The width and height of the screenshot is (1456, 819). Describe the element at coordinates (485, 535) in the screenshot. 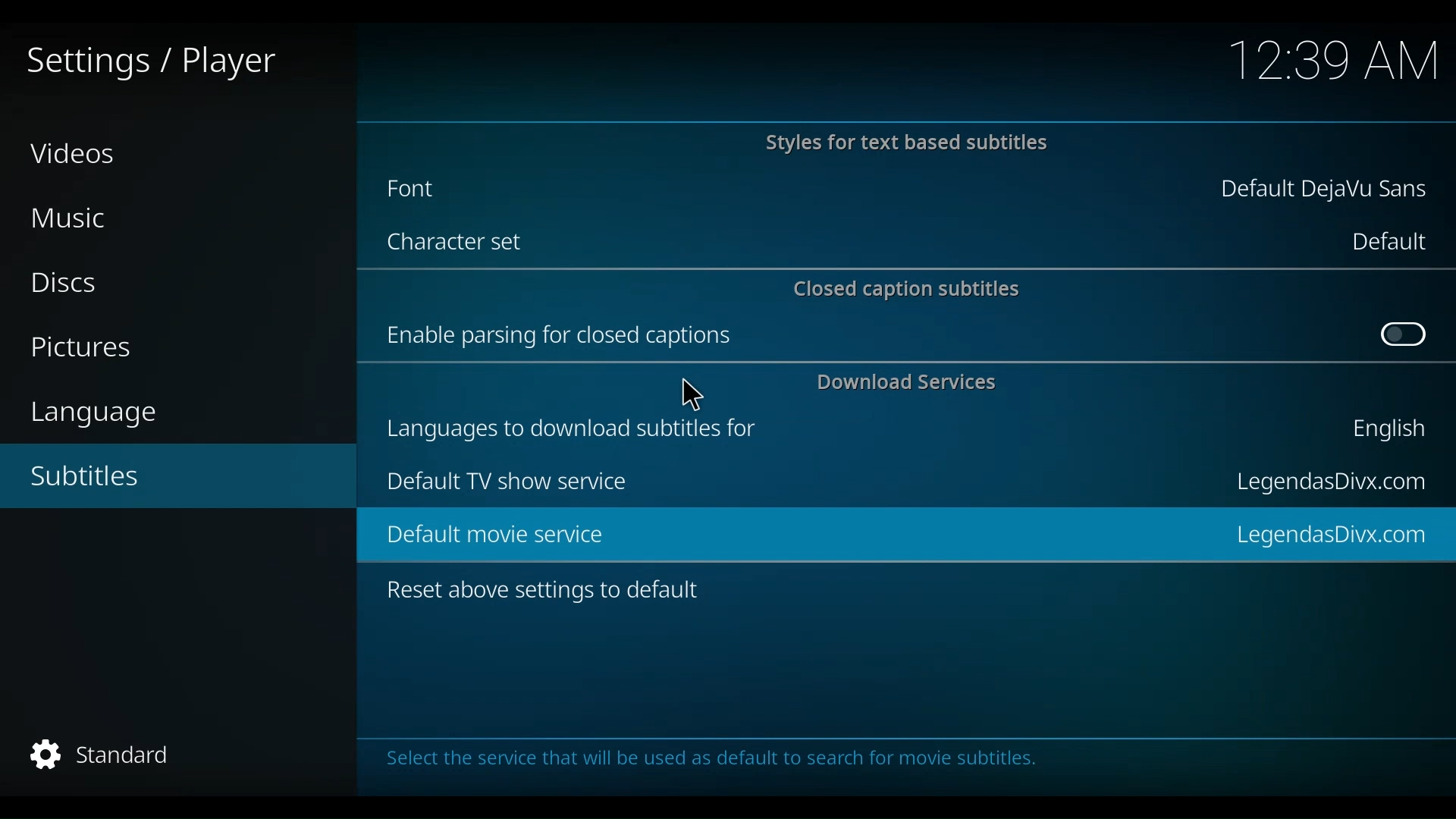

I see `Default movie service` at that location.